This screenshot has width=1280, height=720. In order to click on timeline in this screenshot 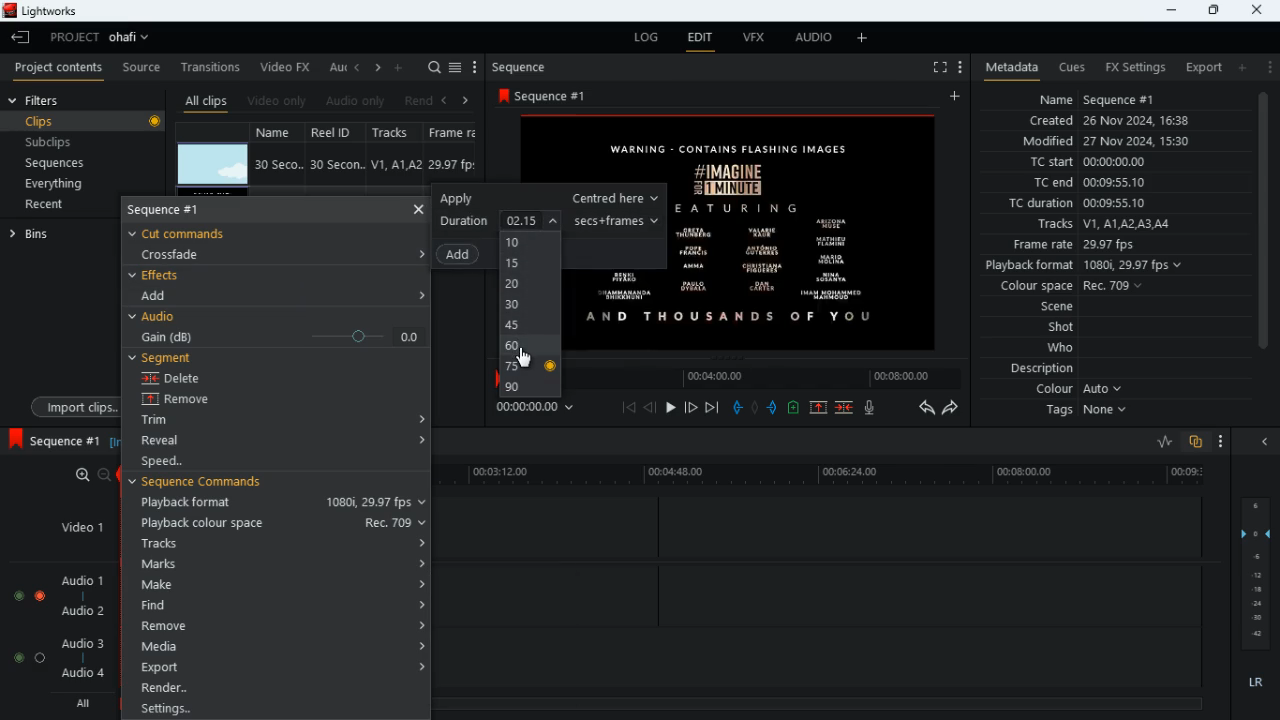, I will do `click(828, 476)`.